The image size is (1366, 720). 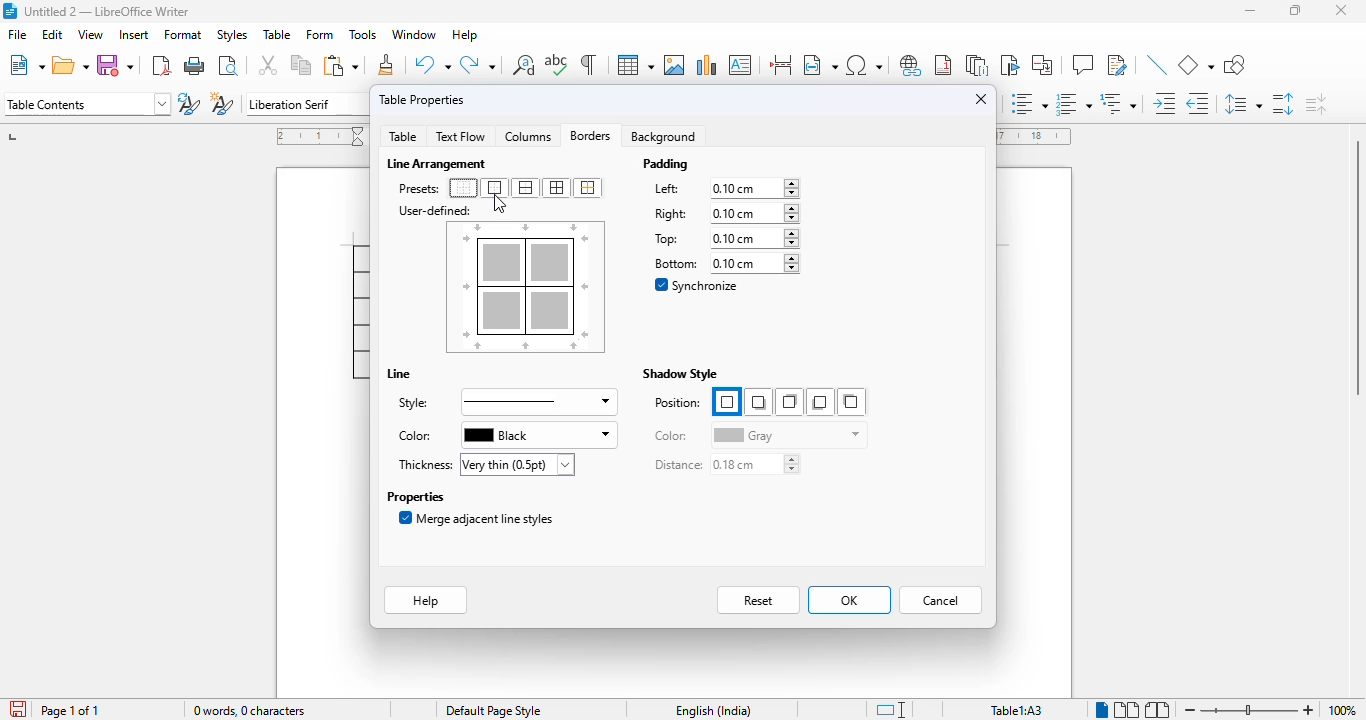 I want to click on color: black, so click(x=504, y=435).